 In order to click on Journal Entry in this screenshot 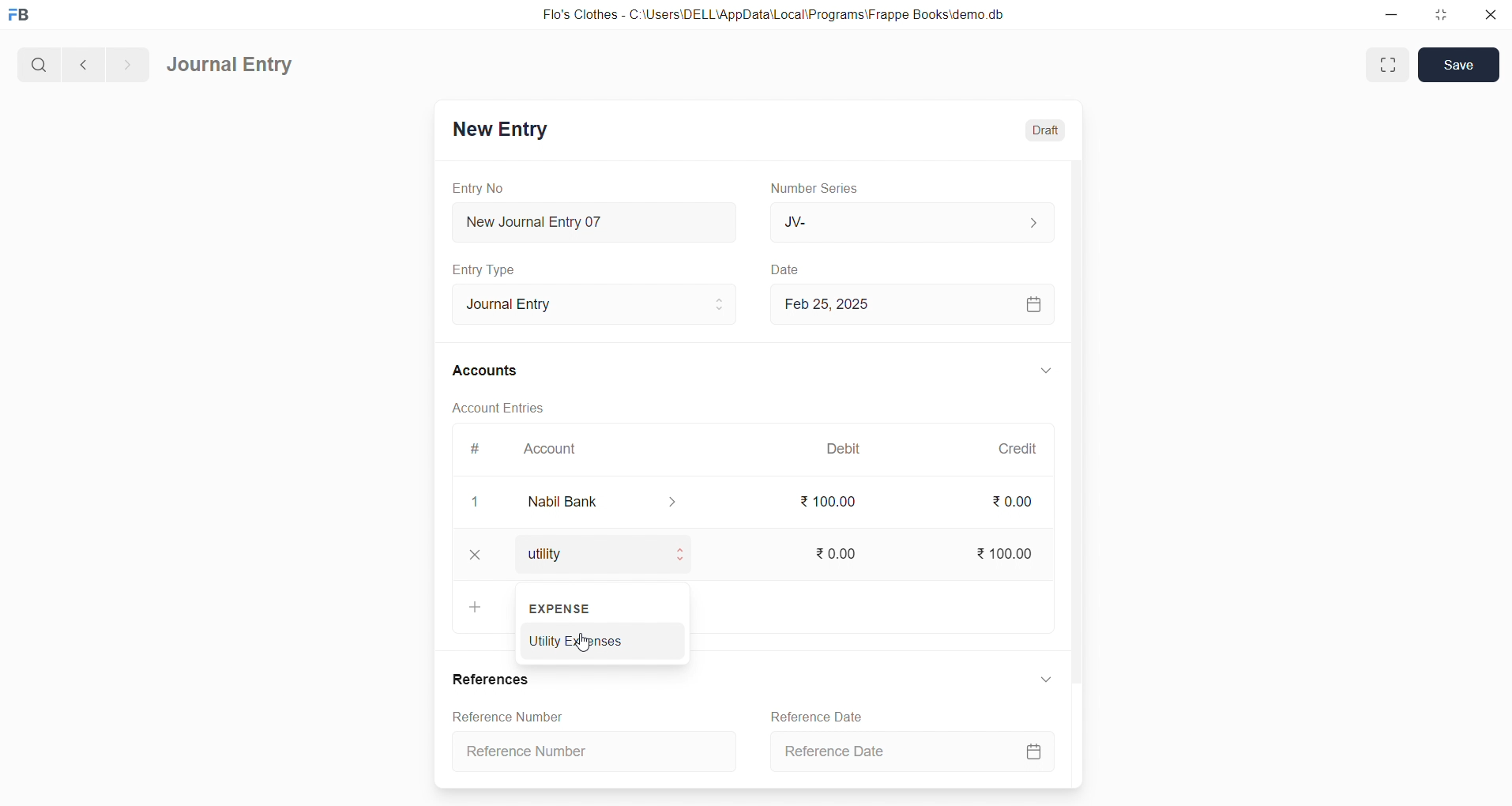, I will do `click(231, 66)`.